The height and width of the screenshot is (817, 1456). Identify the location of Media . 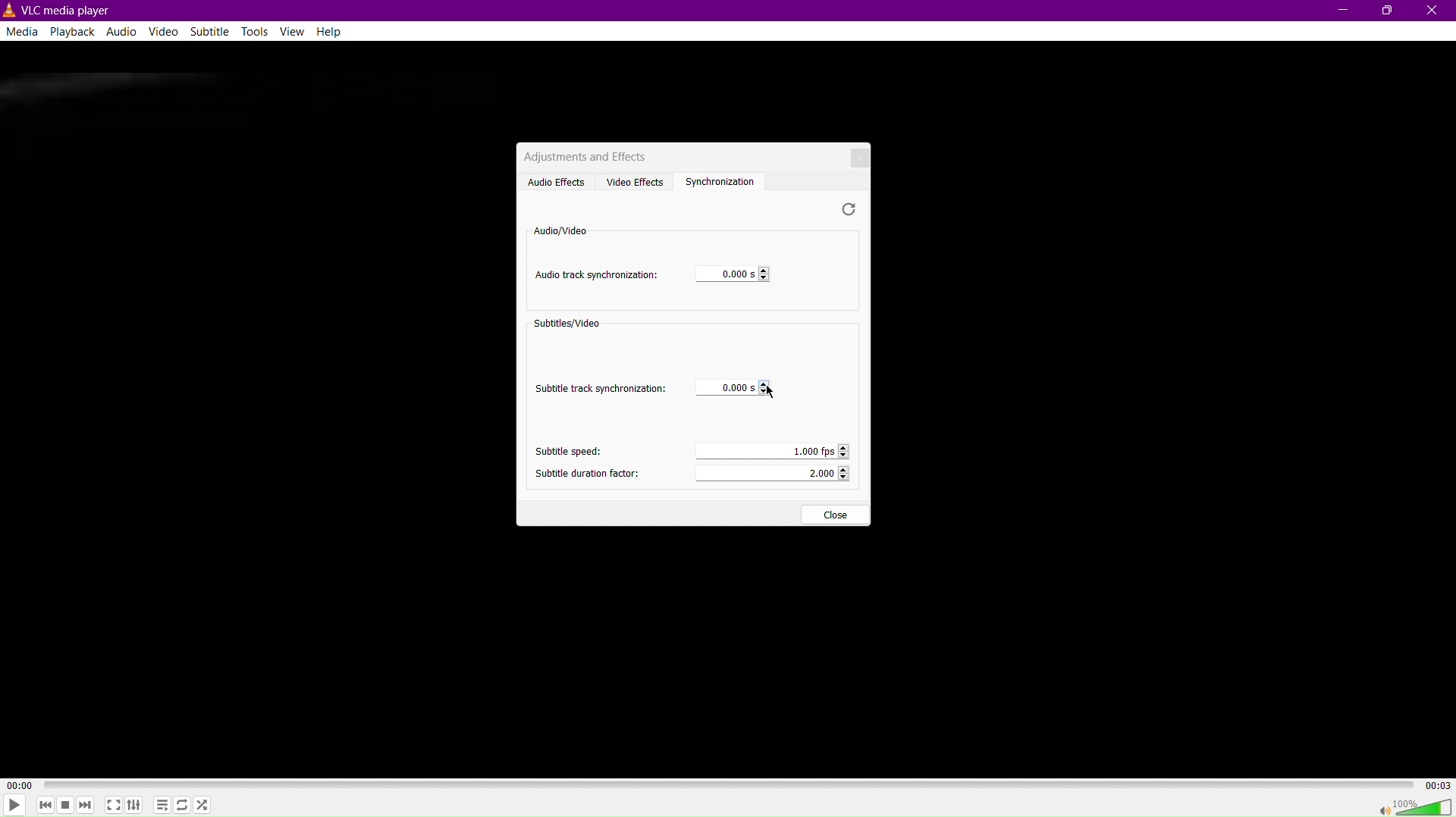
(21, 33).